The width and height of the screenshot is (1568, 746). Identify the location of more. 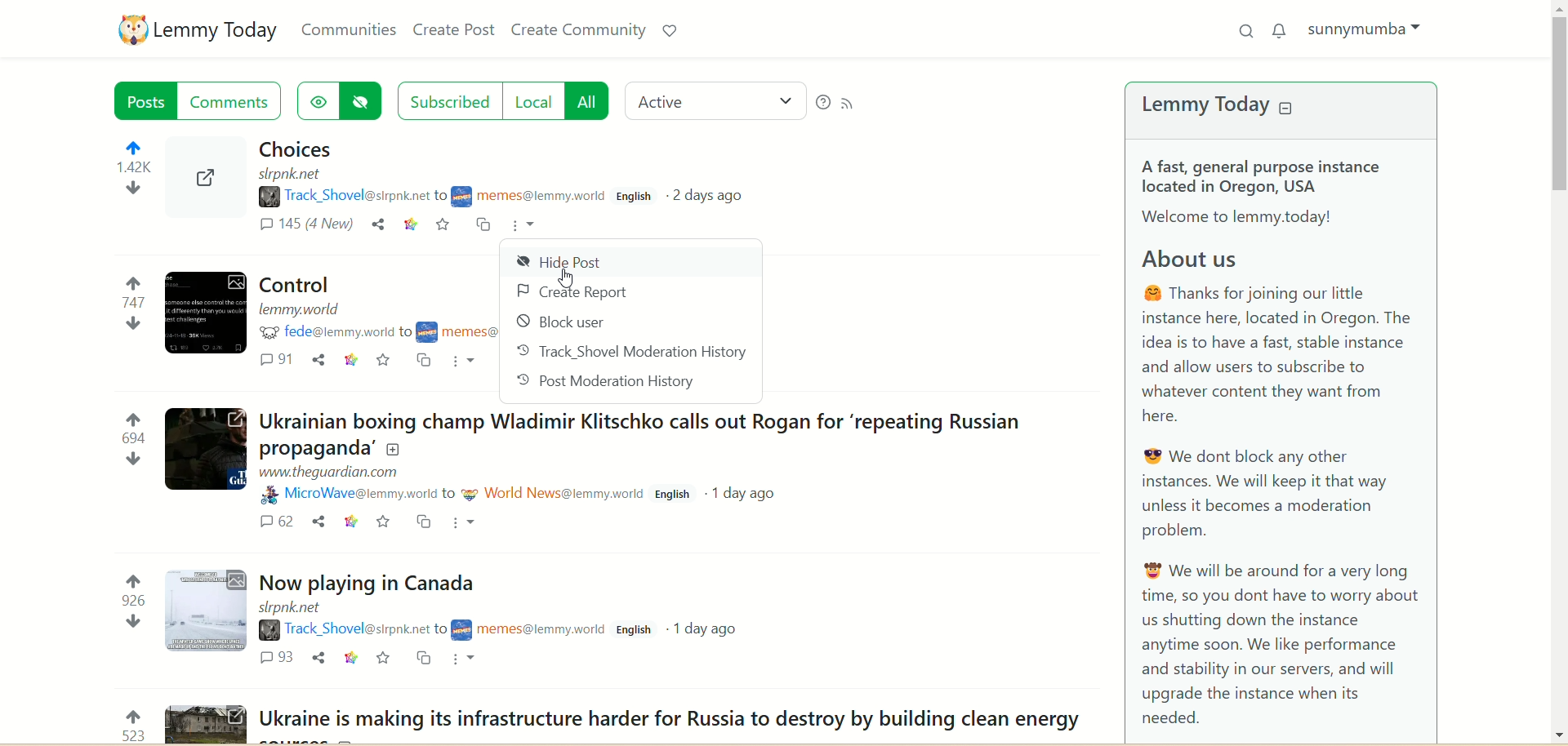
(528, 224).